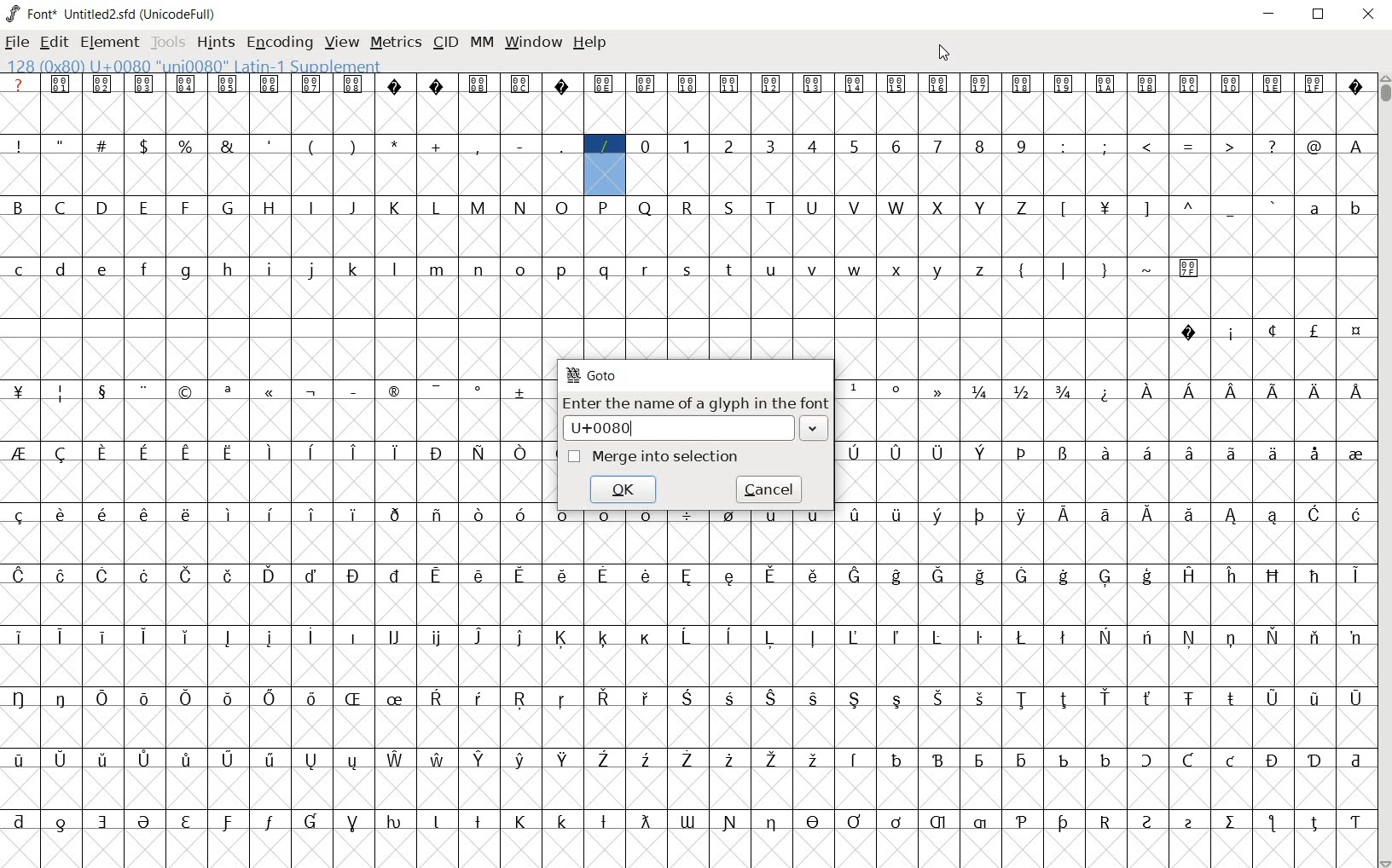 This screenshot has height=868, width=1392. What do you see at coordinates (1189, 760) in the screenshot?
I see `glyph` at bounding box center [1189, 760].